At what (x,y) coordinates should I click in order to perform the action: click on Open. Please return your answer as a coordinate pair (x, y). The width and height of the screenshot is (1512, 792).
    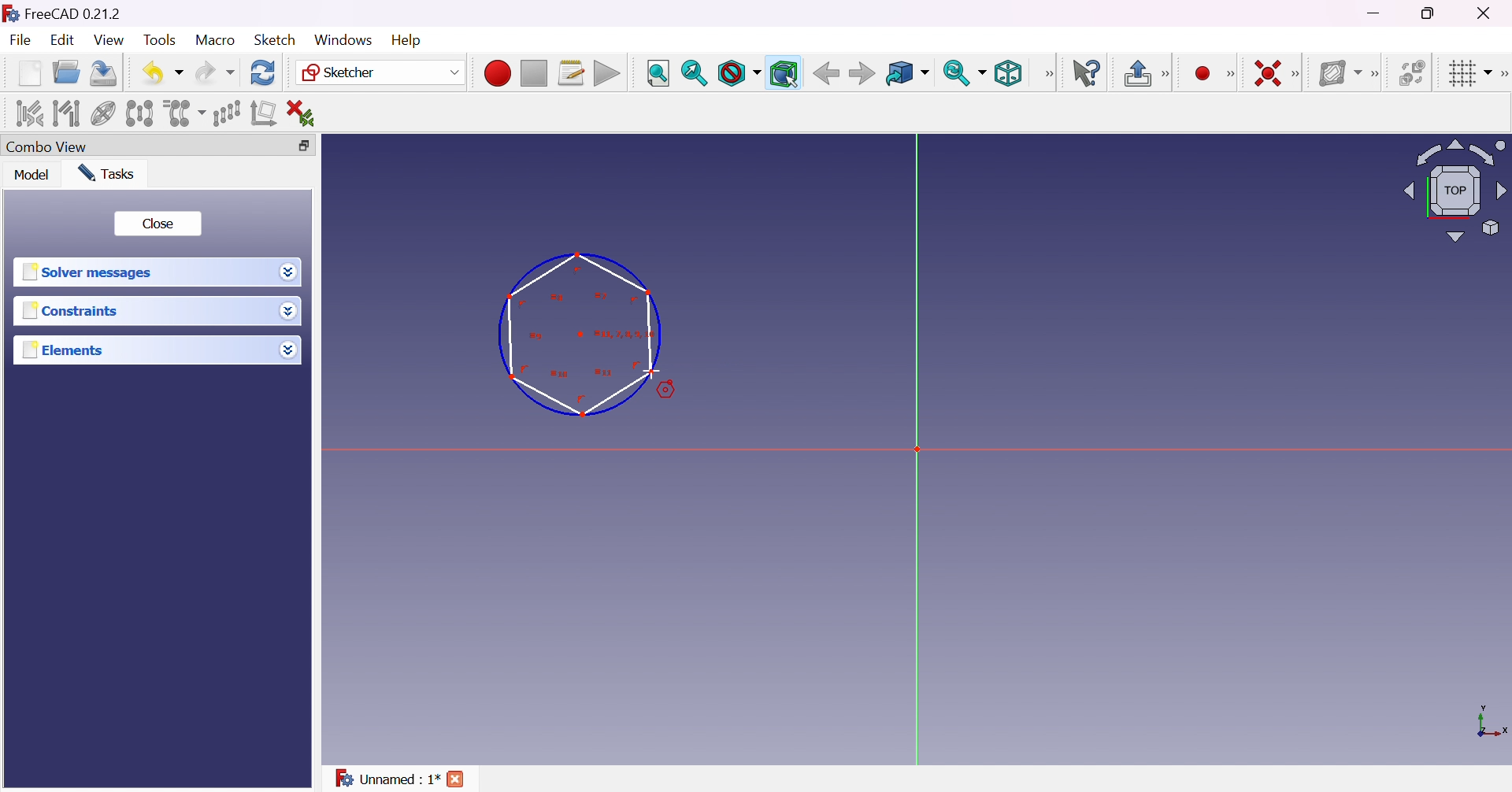
    Looking at the image, I should click on (66, 72).